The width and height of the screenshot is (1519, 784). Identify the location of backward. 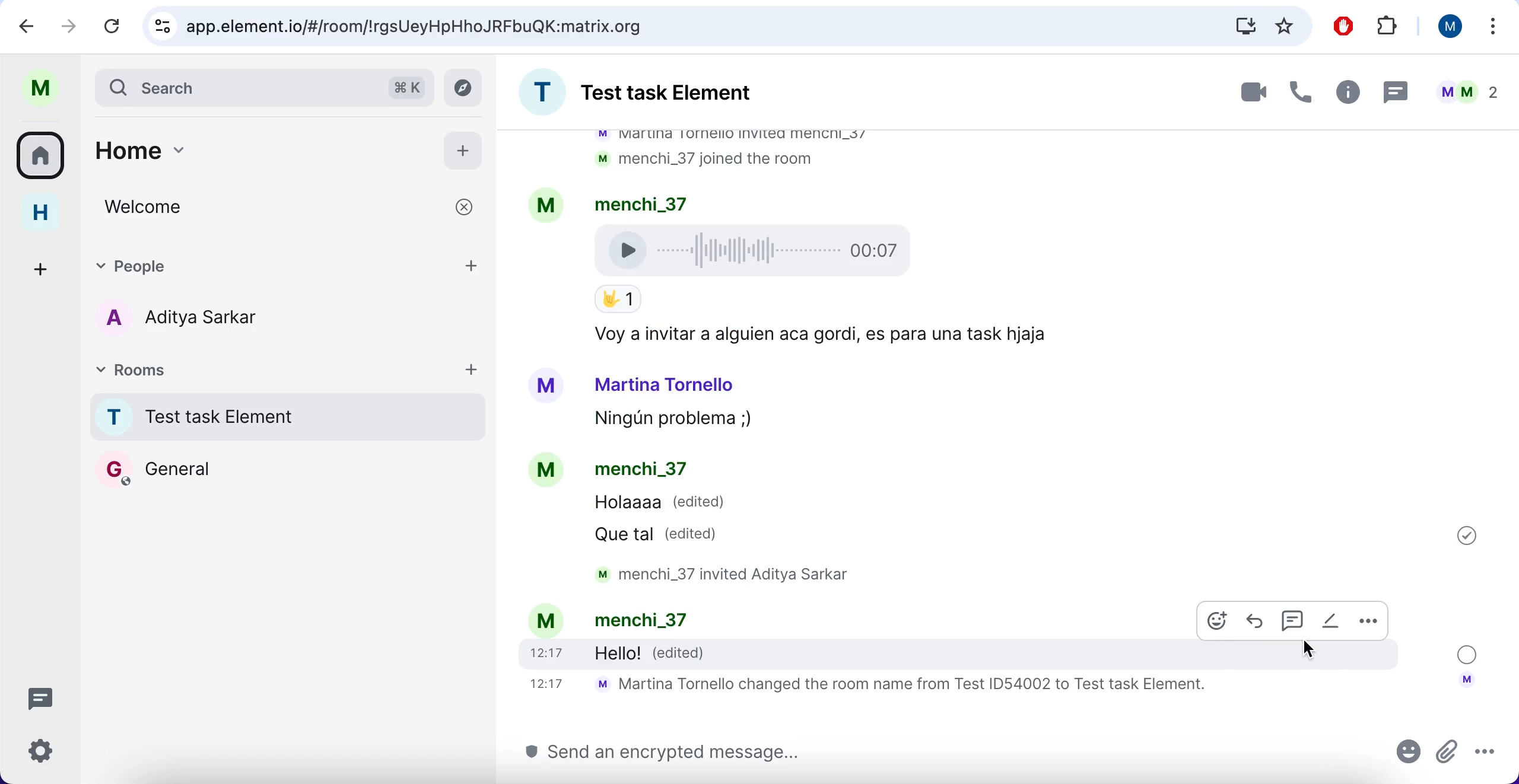
(27, 28).